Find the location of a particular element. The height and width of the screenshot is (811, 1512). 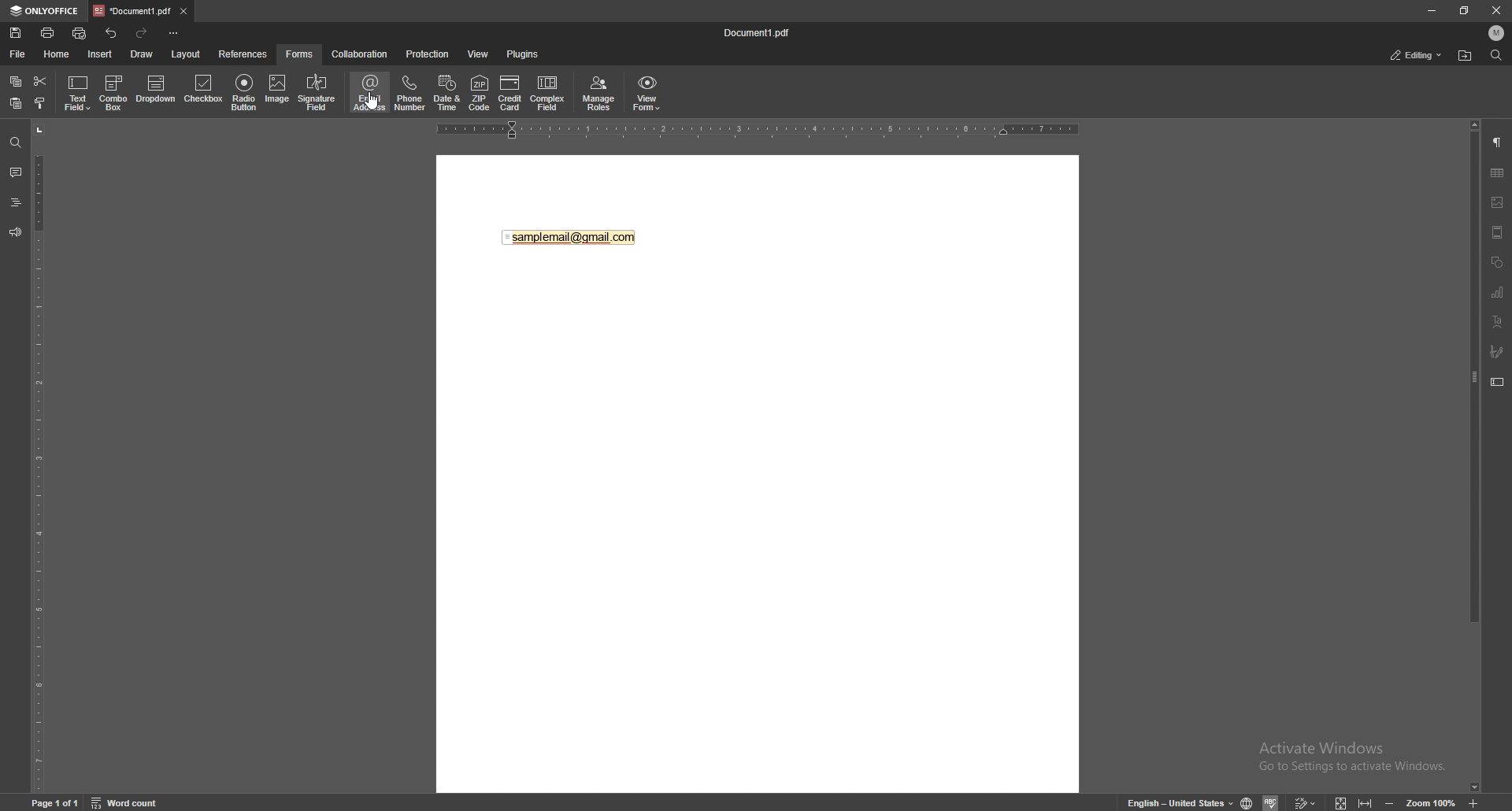

file name is located at coordinates (762, 32).